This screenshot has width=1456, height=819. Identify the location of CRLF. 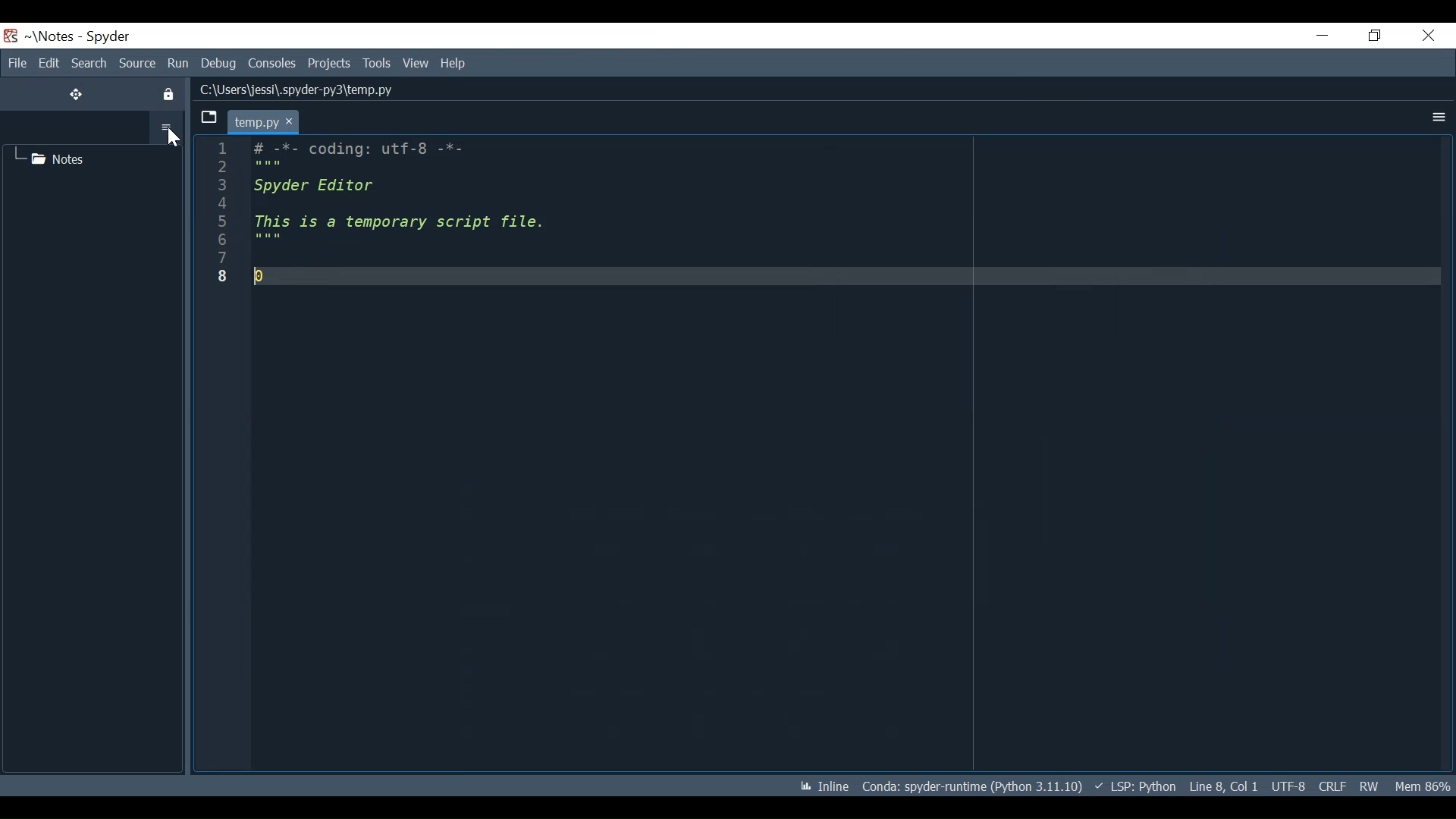
(1330, 786).